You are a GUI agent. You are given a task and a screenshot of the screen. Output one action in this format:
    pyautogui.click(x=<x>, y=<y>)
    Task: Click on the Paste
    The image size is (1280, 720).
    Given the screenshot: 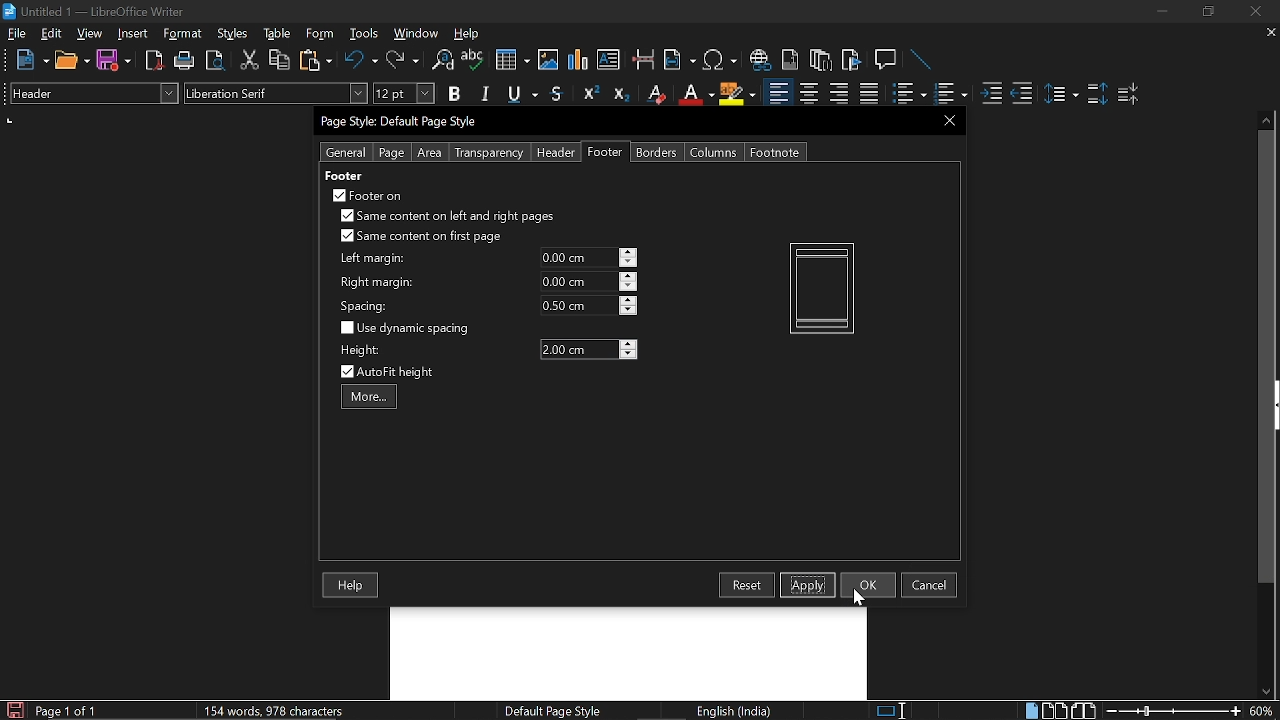 What is the action you would take?
    pyautogui.click(x=314, y=59)
    